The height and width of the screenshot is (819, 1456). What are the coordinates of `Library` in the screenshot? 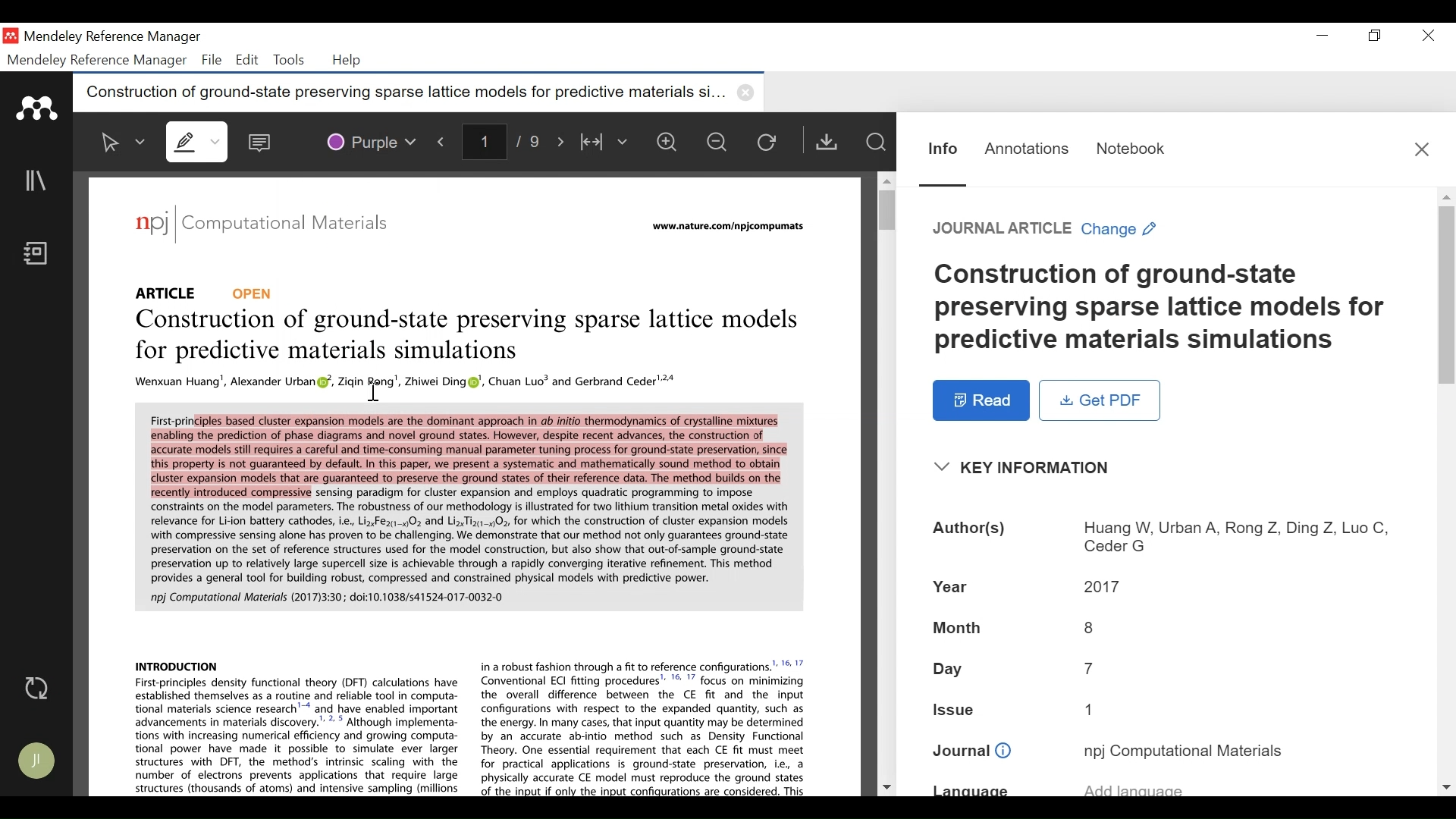 It's located at (37, 180).